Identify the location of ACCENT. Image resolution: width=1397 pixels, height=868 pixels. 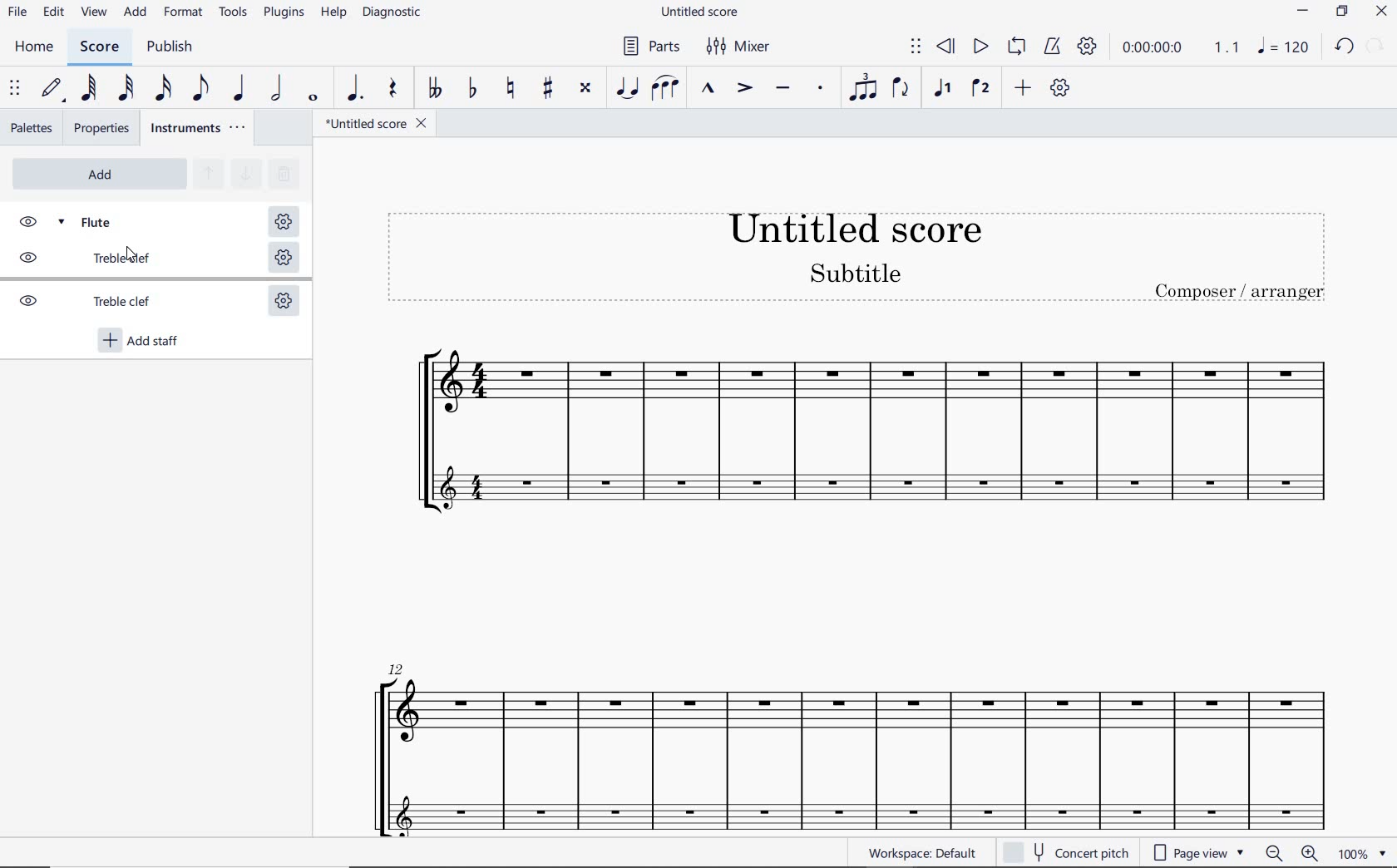
(743, 89).